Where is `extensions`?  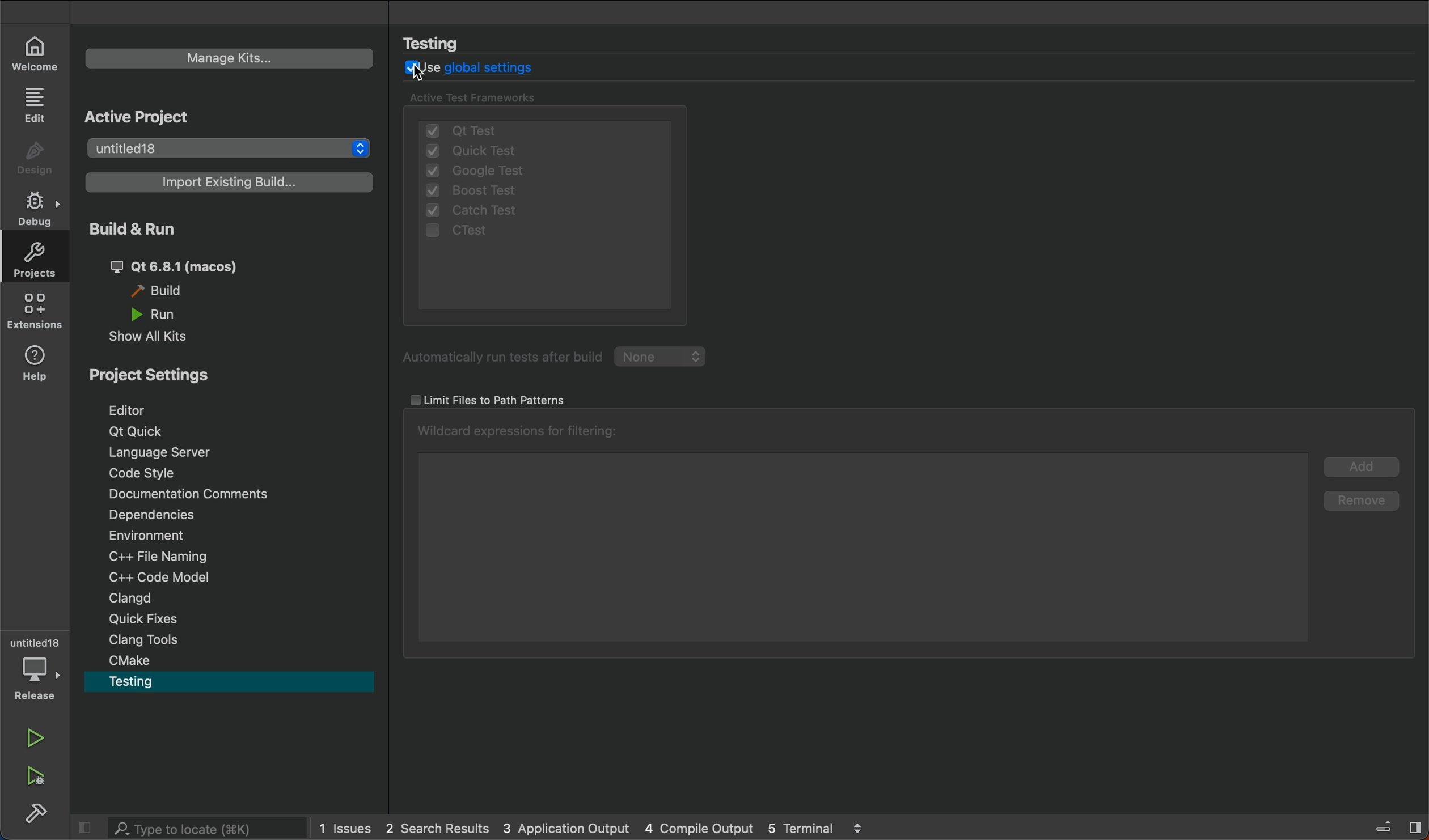
extensions is located at coordinates (35, 311).